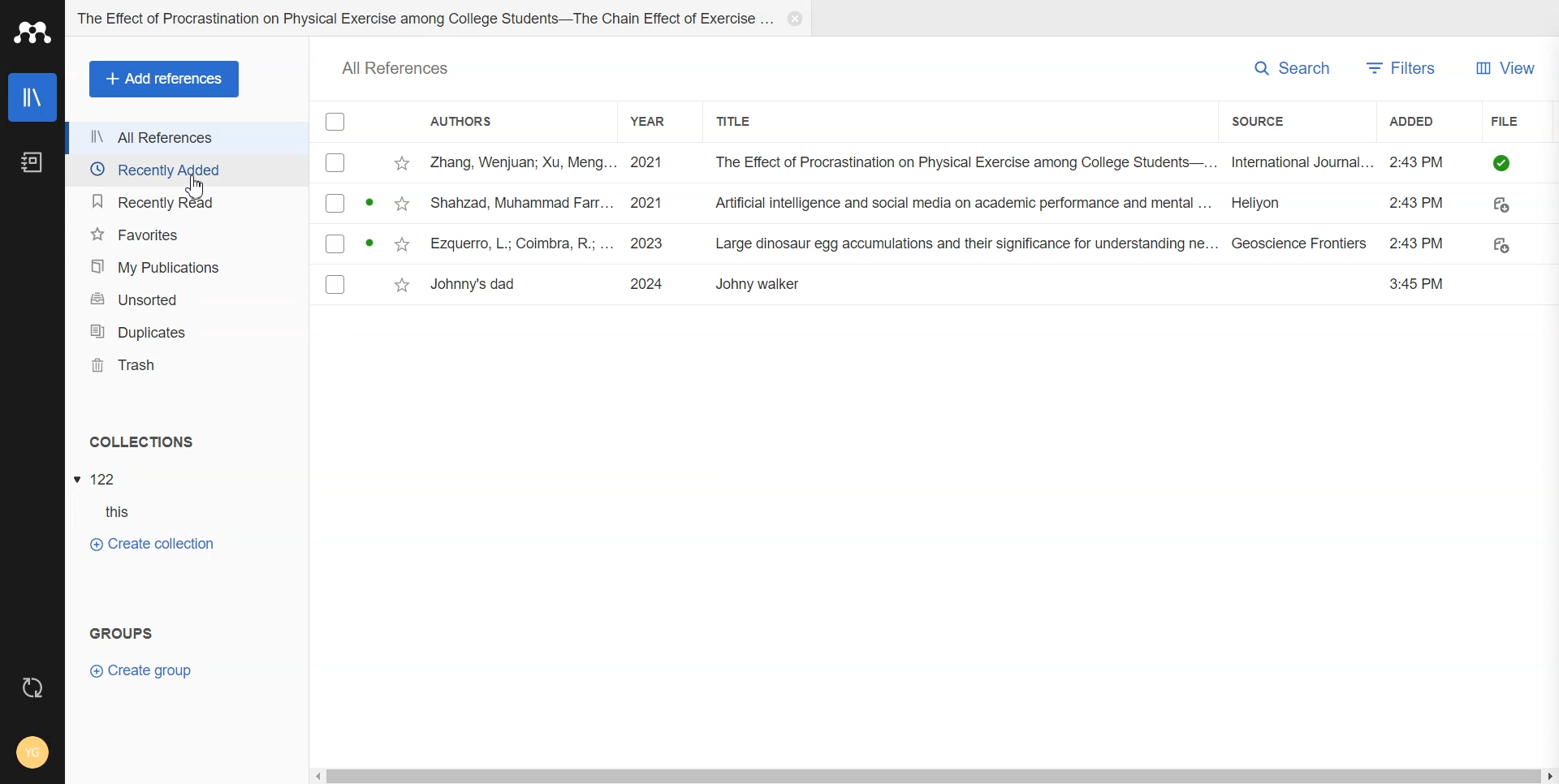 This screenshot has height=784, width=1559. I want to click on Text, so click(141, 442).